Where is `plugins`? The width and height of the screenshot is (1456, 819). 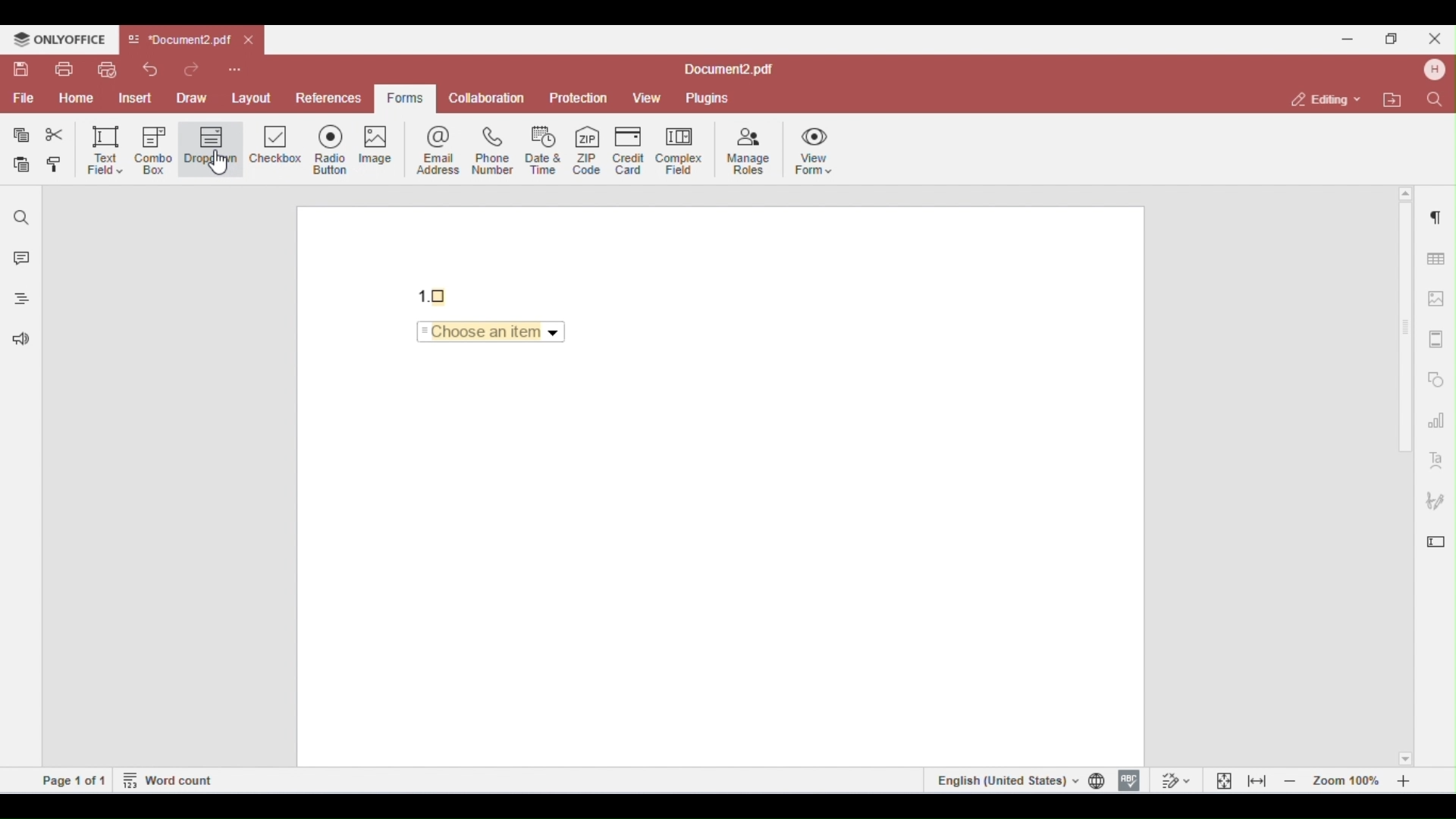
plugins is located at coordinates (706, 99).